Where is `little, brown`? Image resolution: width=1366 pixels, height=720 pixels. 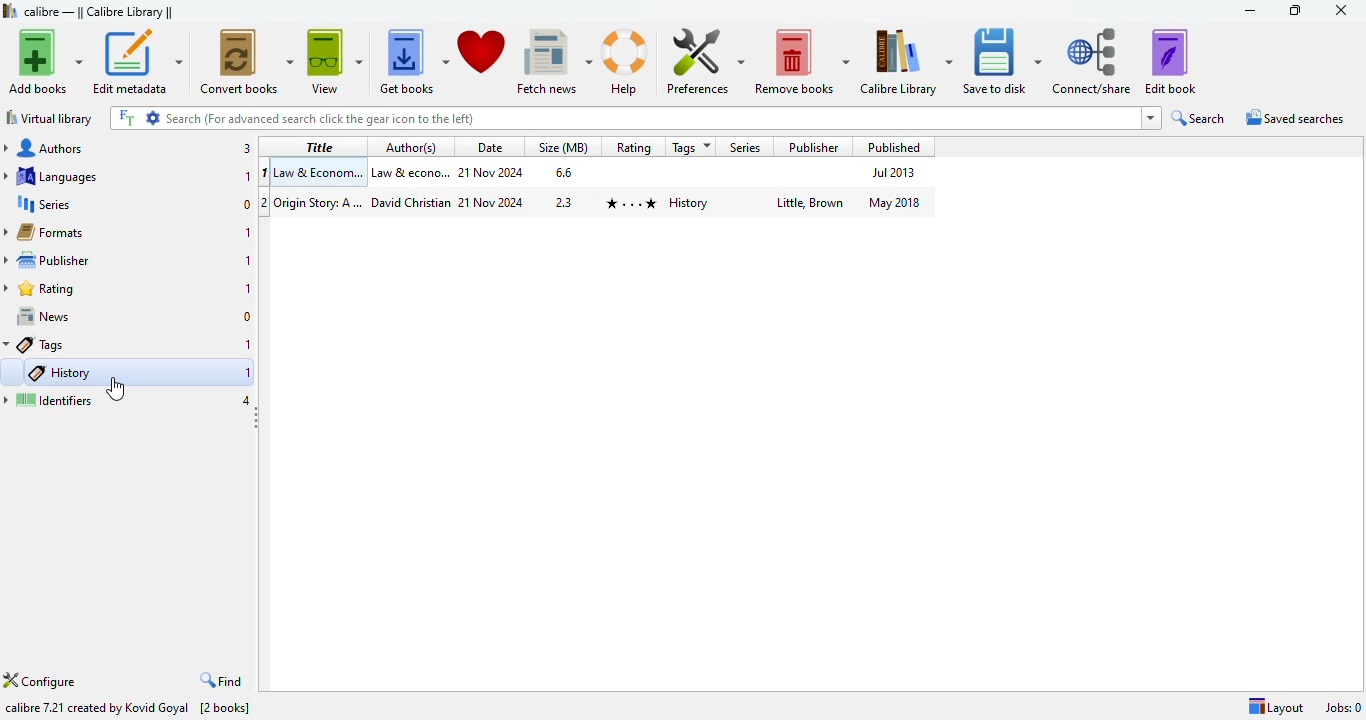 little, brown is located at coordinates (811, 204).